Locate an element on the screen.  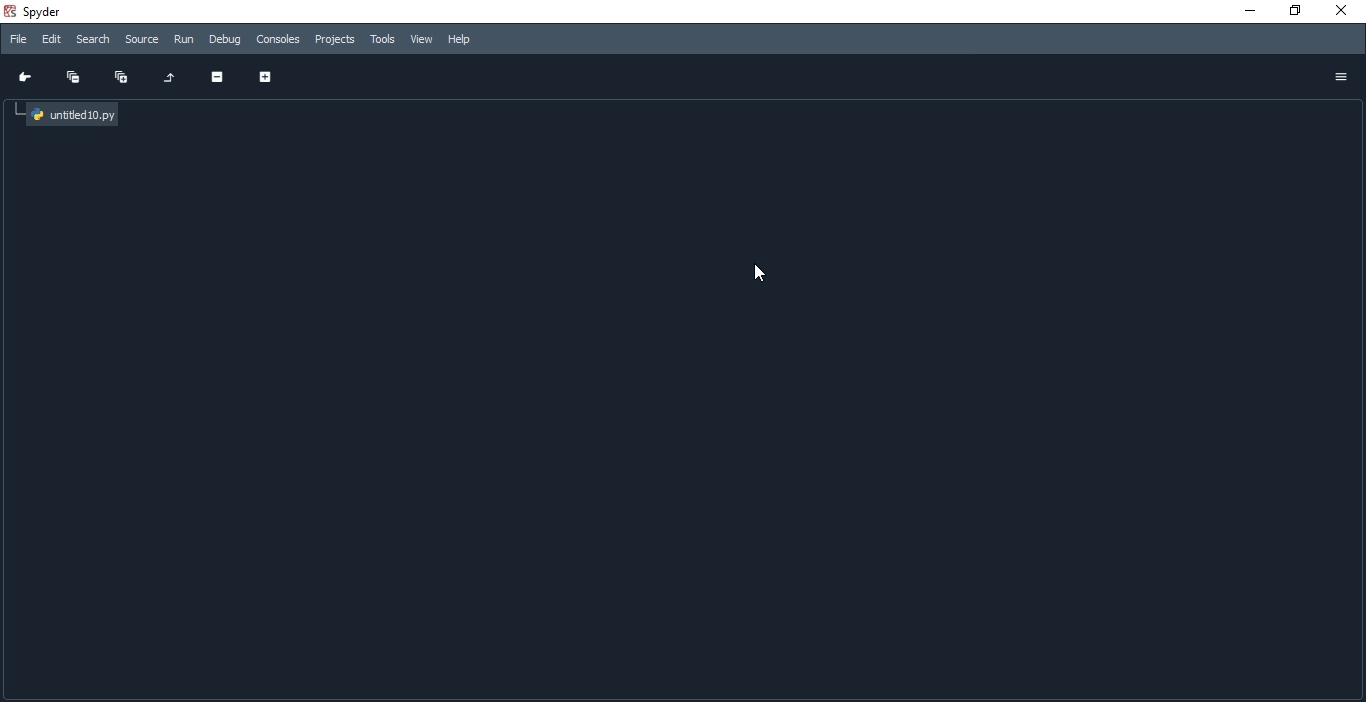
Expand section  is located at coordinates (266, 73).